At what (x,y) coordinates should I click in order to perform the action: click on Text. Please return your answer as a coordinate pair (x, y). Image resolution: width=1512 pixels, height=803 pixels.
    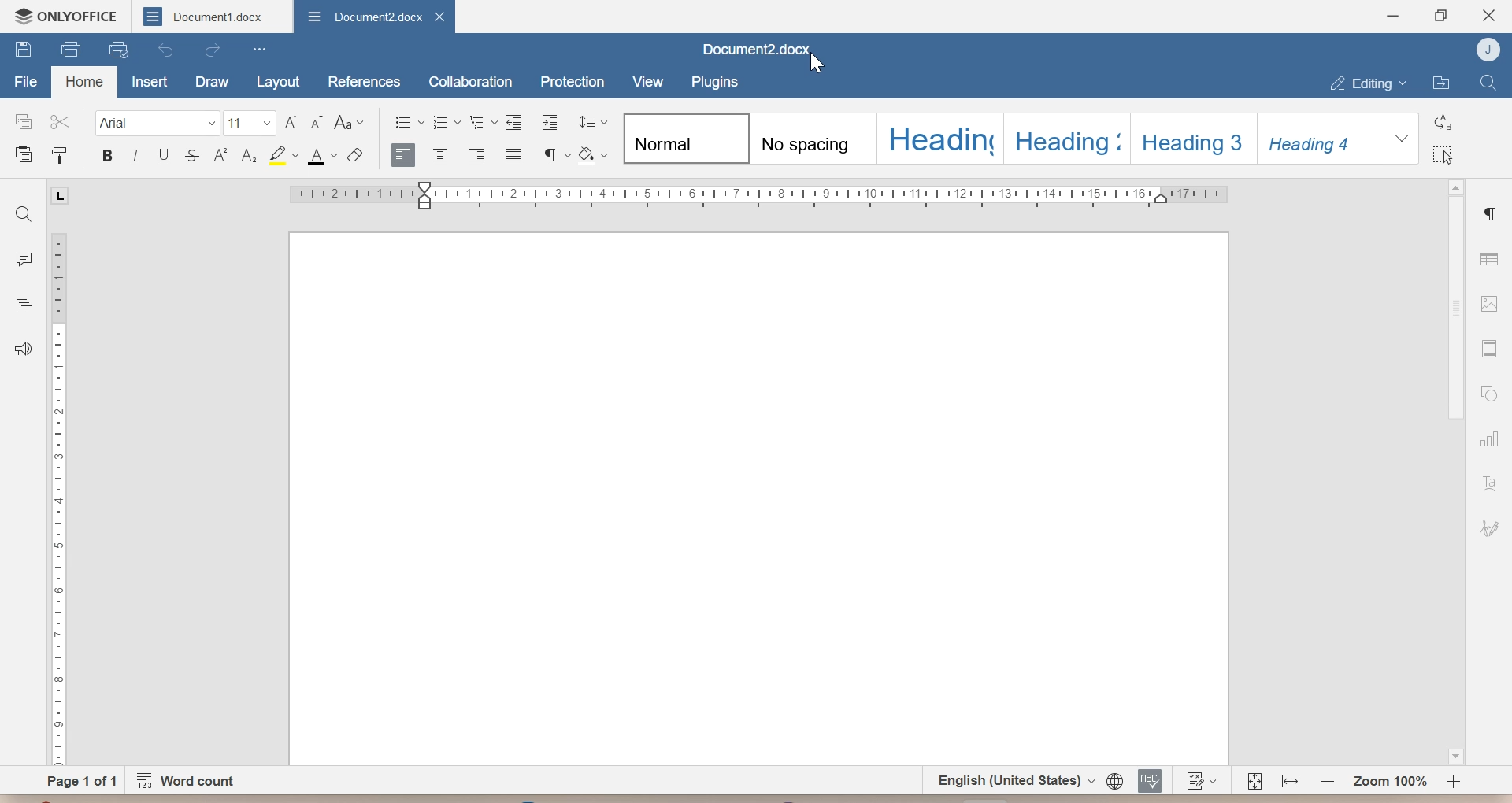
    Looking at the image, I should click on (1490, 484).